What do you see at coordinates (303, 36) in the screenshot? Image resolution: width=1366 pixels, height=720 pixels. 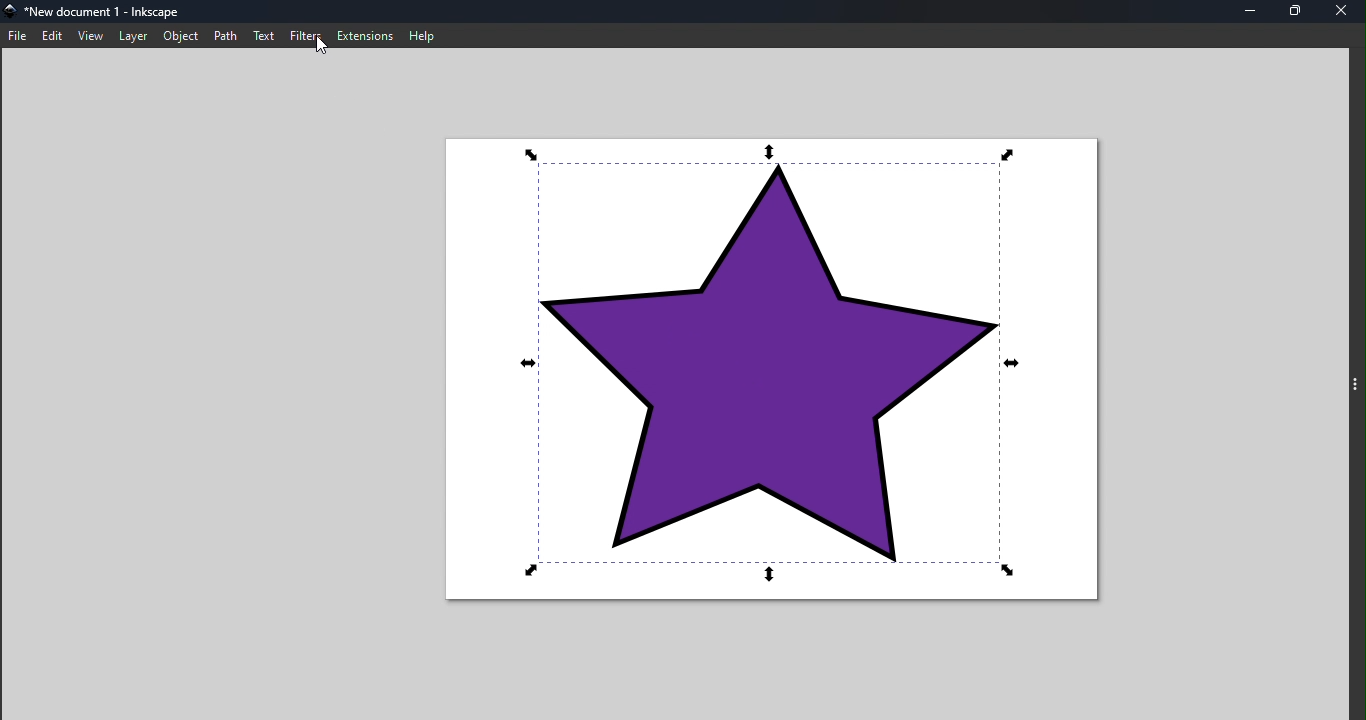 I see `Filter` at bounding box center [303, 36].